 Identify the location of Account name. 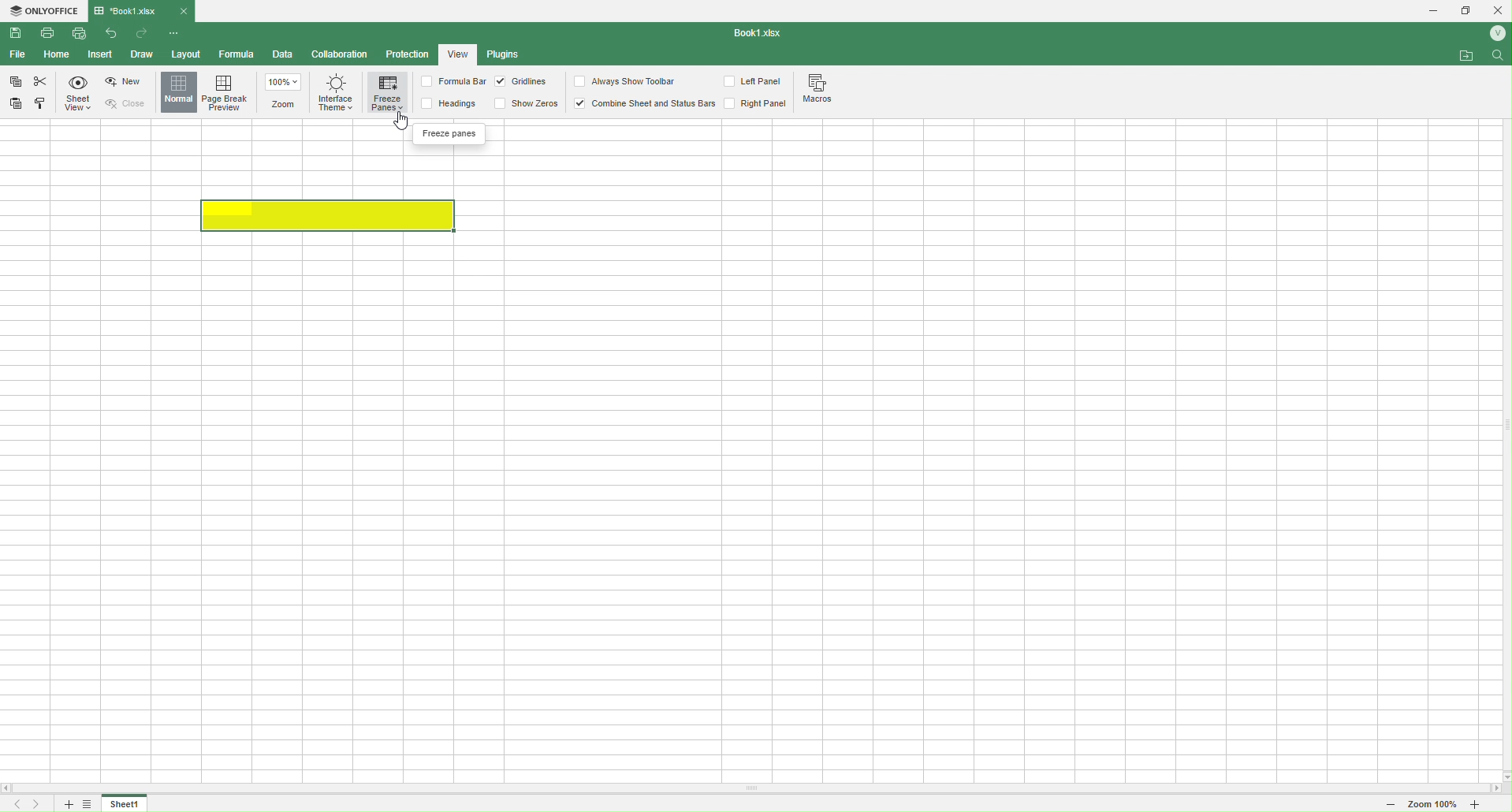
(1494, 33).